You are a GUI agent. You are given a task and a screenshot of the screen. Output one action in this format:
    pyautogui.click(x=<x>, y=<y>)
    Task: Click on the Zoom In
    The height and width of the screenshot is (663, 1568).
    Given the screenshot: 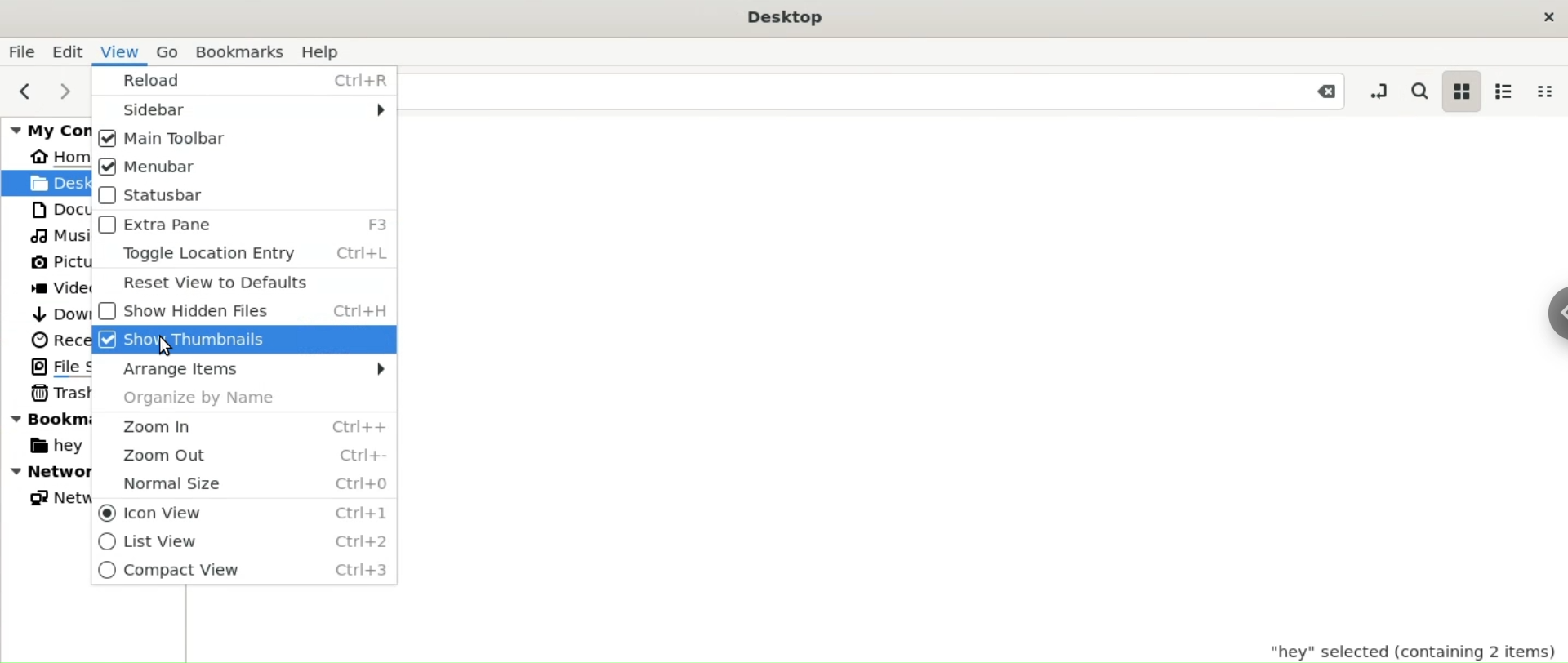 What is the action you would take?
    pyautogui.click(x=240, y=425)
    